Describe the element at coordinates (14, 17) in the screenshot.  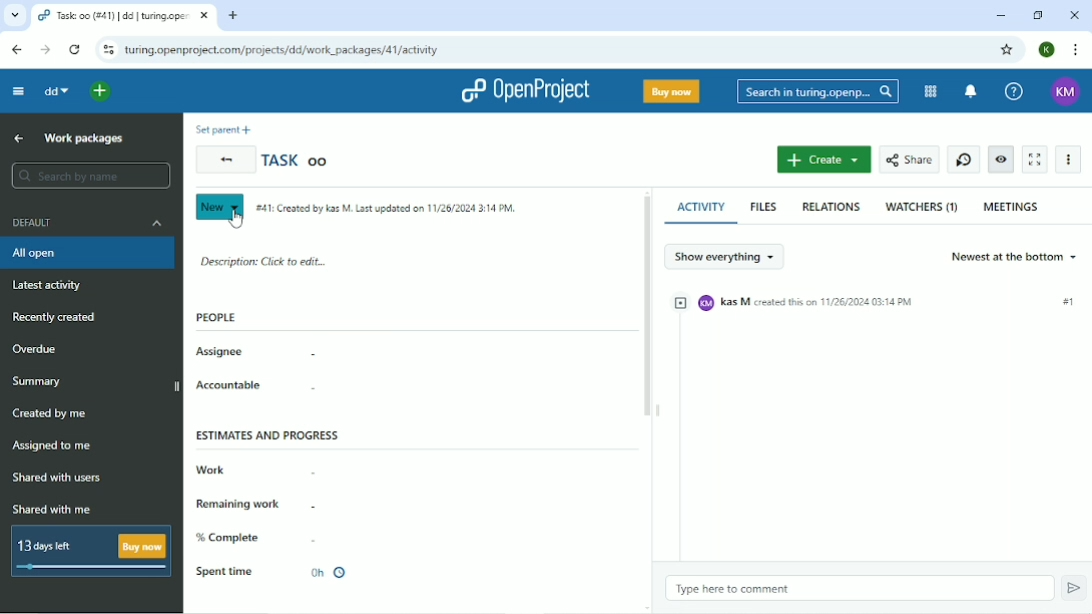
I see `Search tabs` at that location.